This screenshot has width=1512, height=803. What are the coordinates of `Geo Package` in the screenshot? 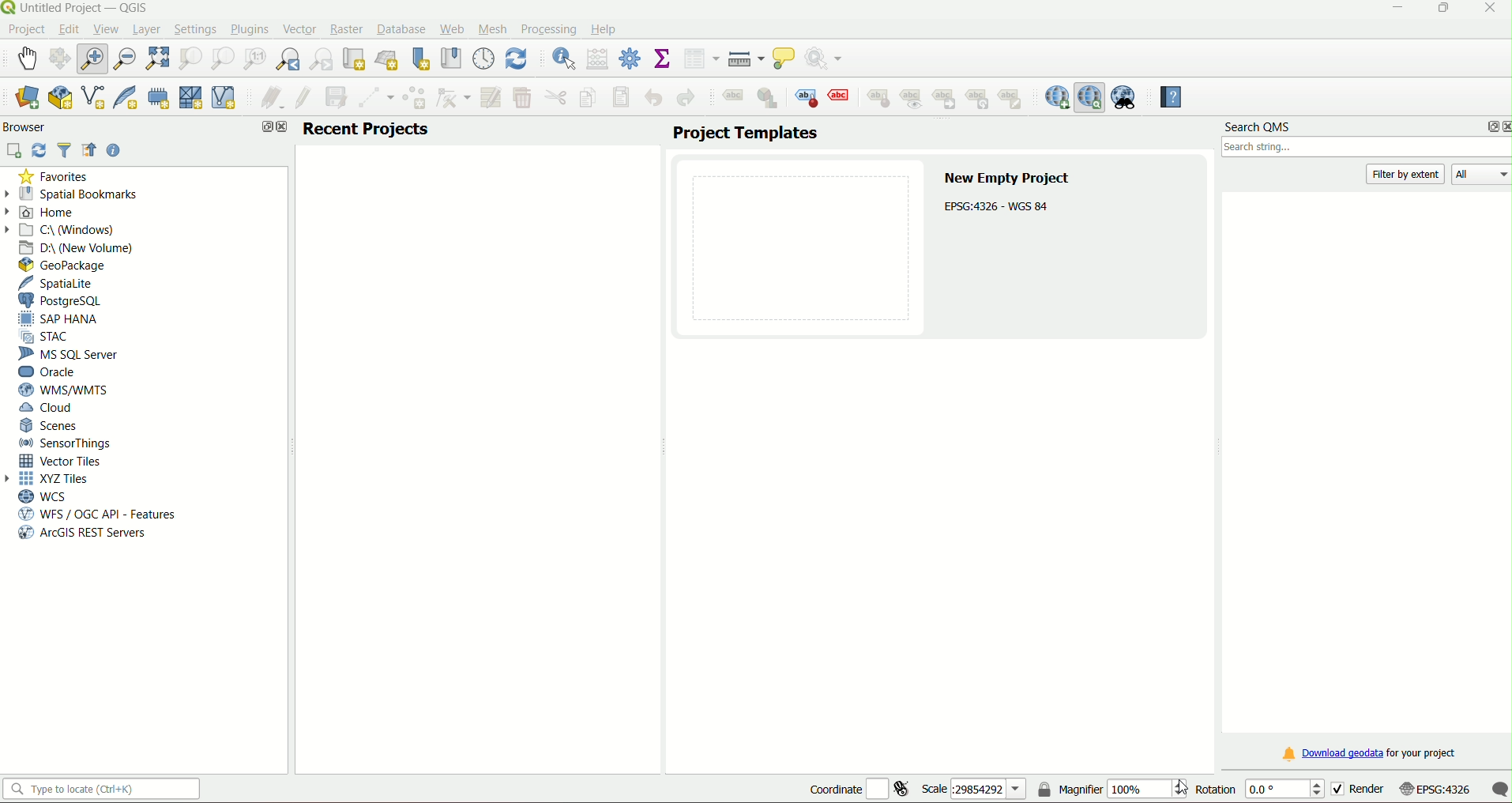 It's located at (70, 265).